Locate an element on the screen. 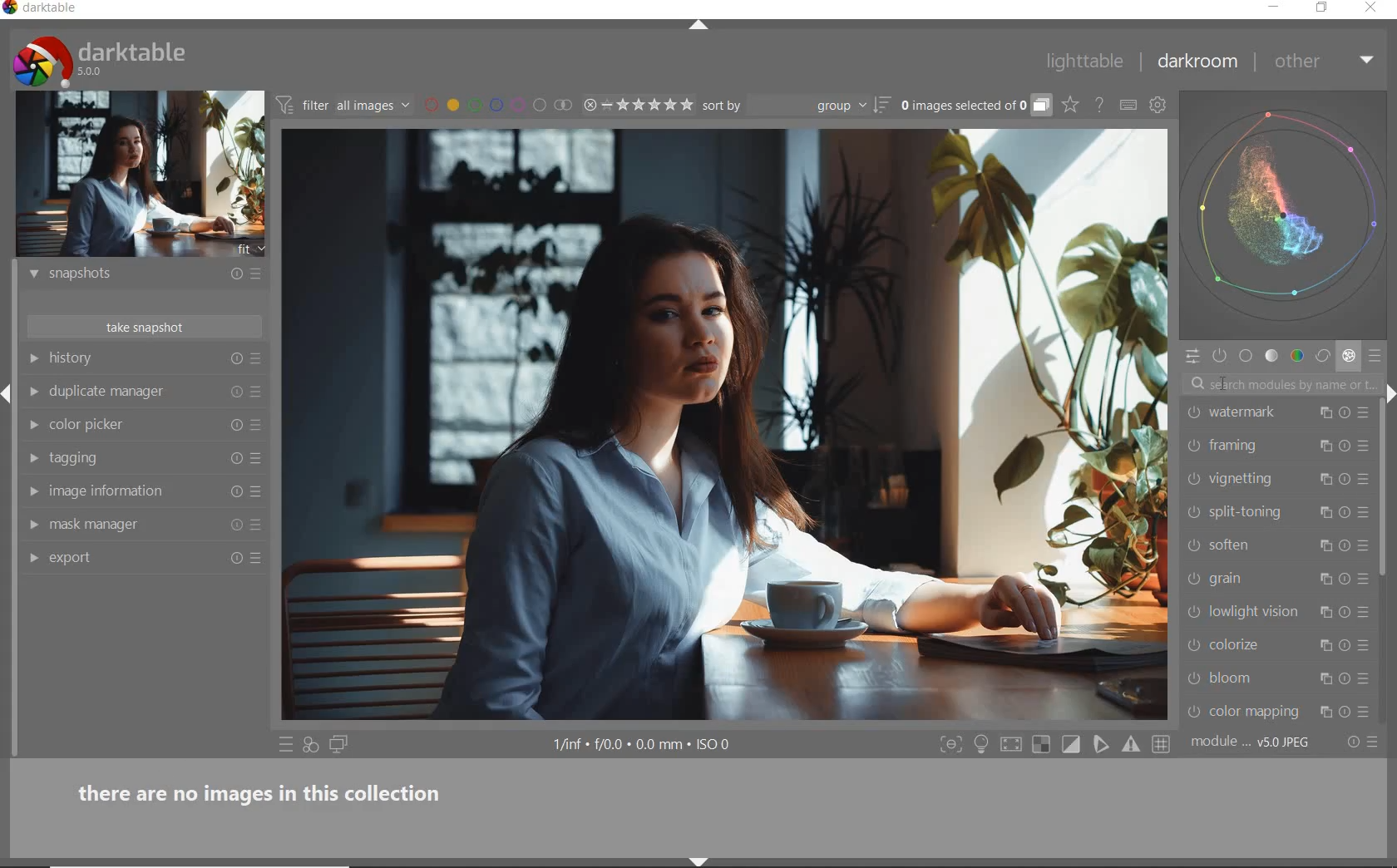 The height and width of the screenshot is (868, 1397). preset and preferences is located at coordinates (1364, 416).